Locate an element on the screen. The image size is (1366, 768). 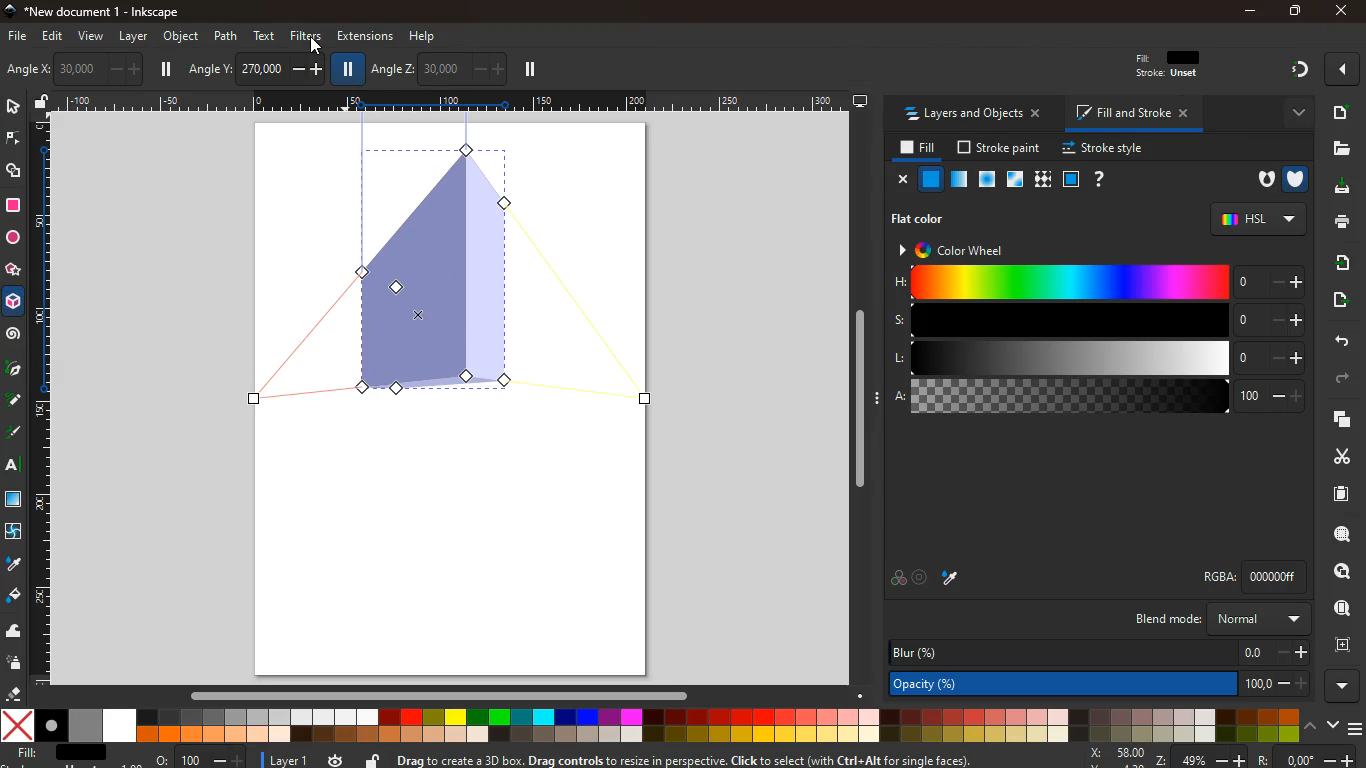
more is located at coordinates (1342, 69).